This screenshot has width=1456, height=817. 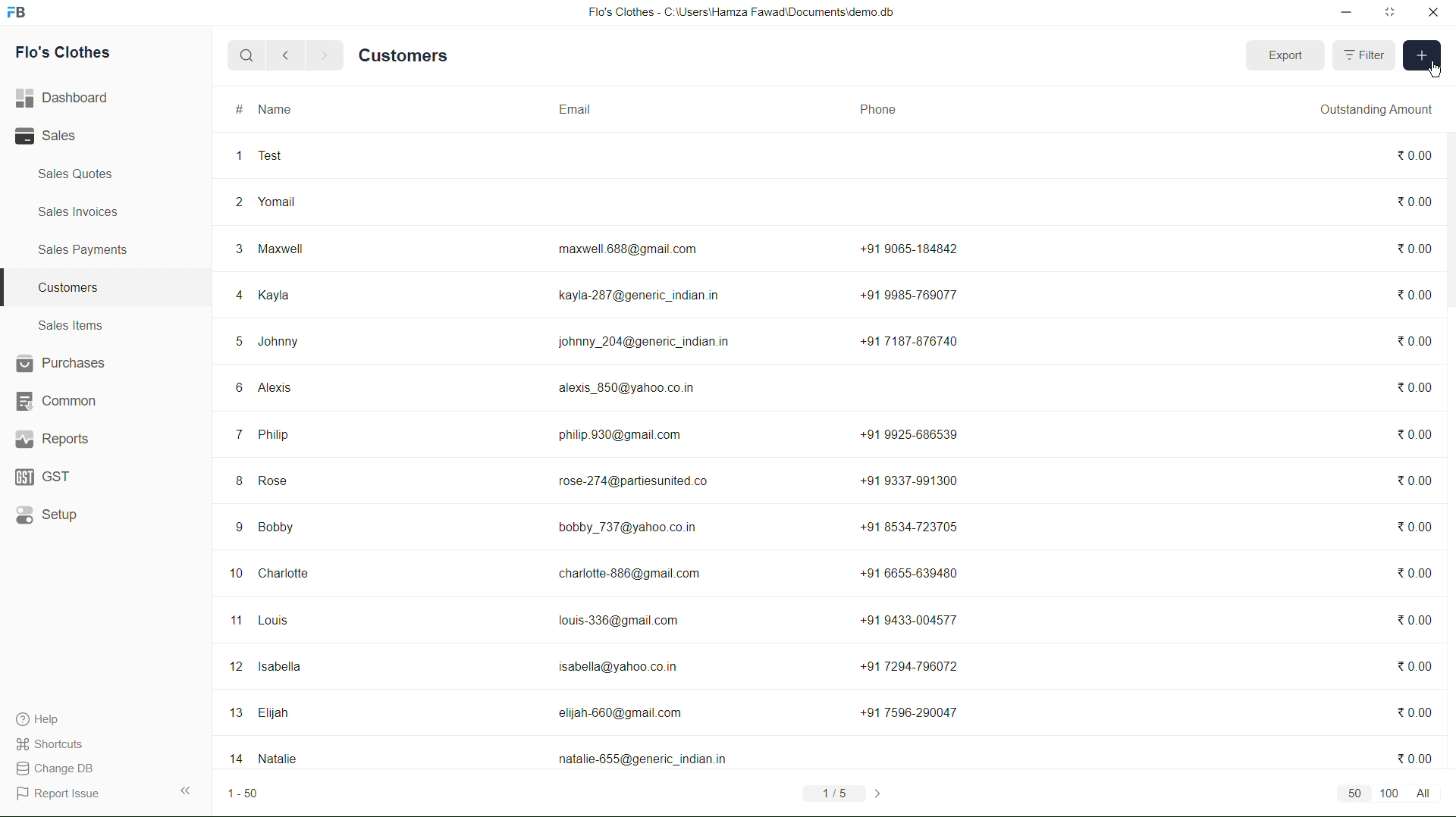 What do you see at coordinates (278, 201) in the screenshot?
I see `‘Yomail` at bounding box center [278, 201].